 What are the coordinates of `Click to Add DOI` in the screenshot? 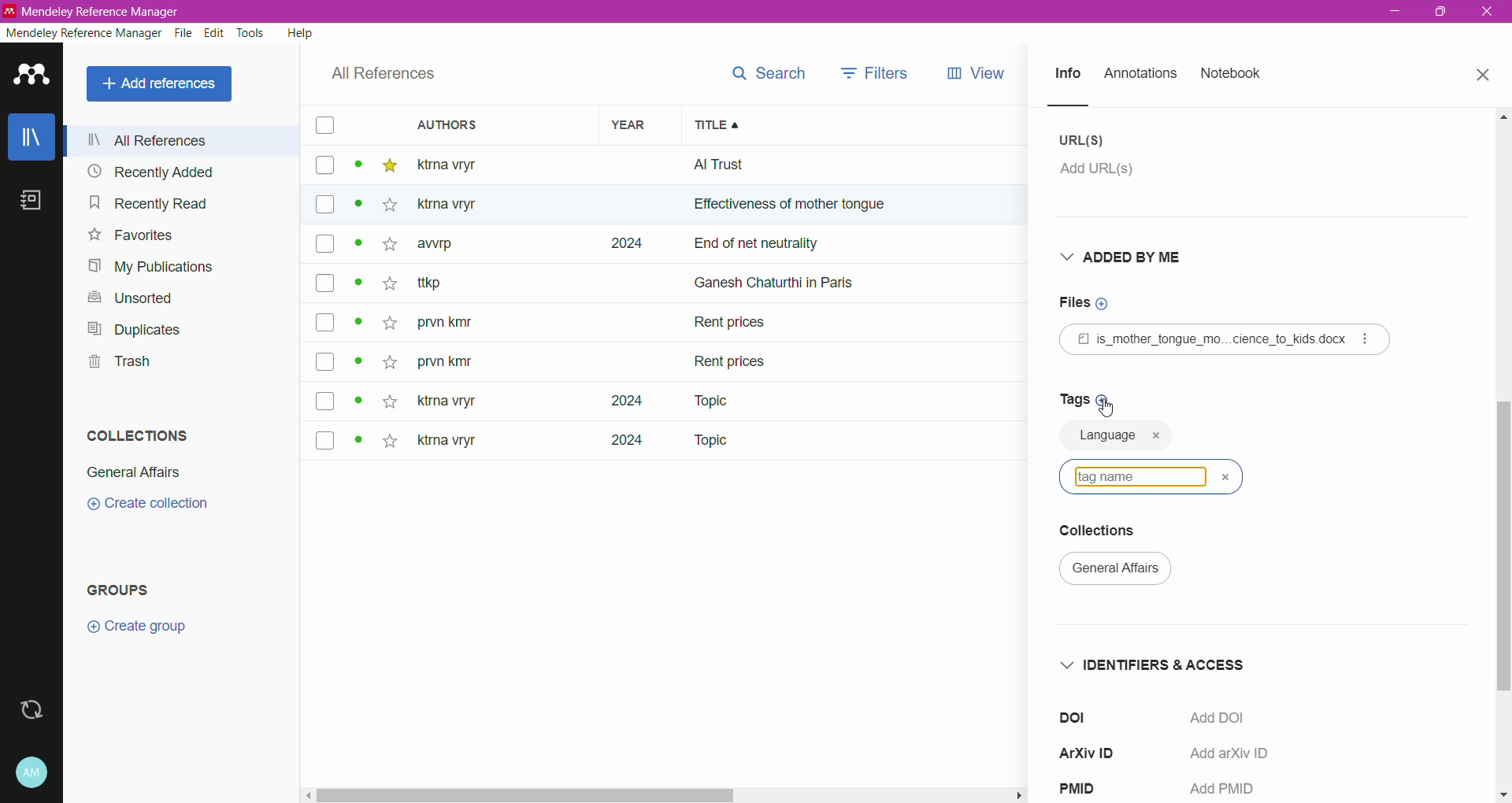 It's located at (1229, 719).